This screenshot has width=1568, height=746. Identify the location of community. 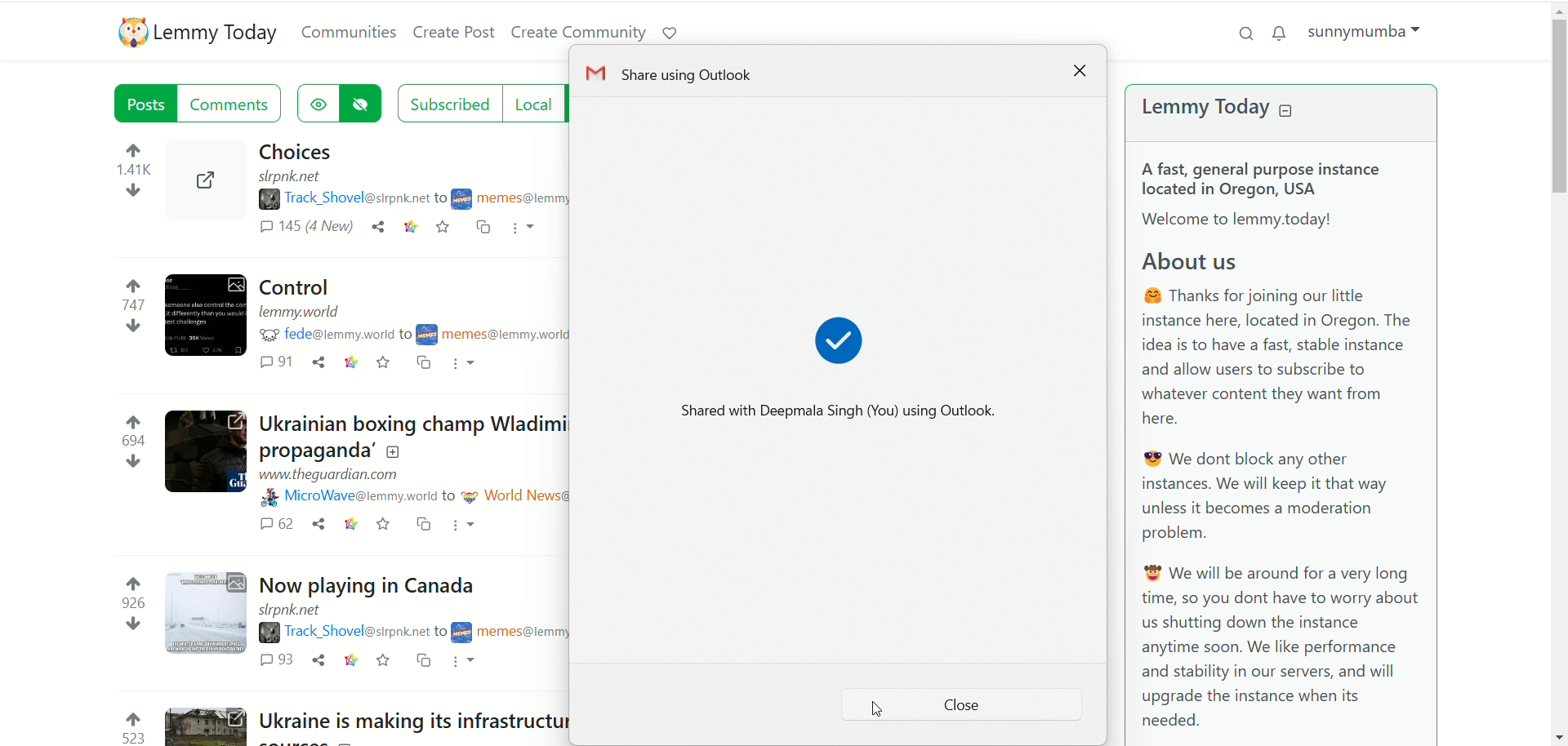
(510, 629).